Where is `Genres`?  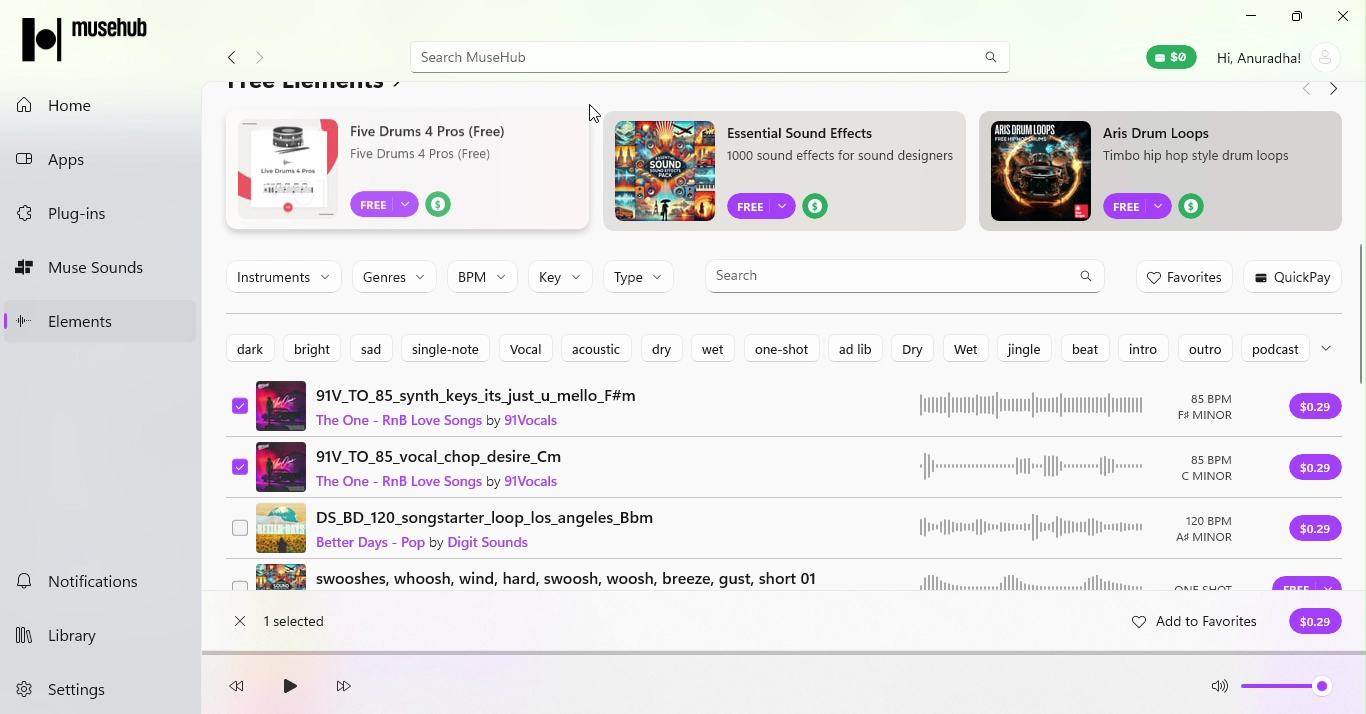 Genres is located at coordinates (391, 274).